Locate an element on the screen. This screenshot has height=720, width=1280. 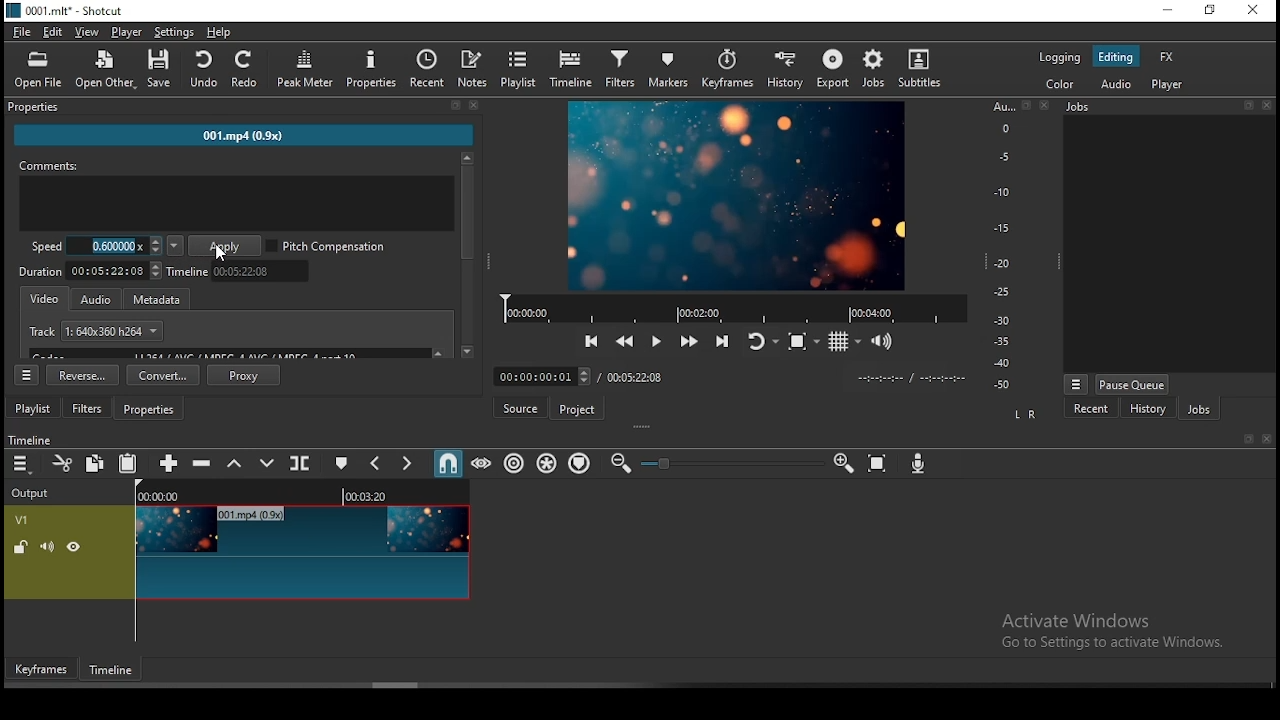
pause queue is located at coordinates (1132, 386).